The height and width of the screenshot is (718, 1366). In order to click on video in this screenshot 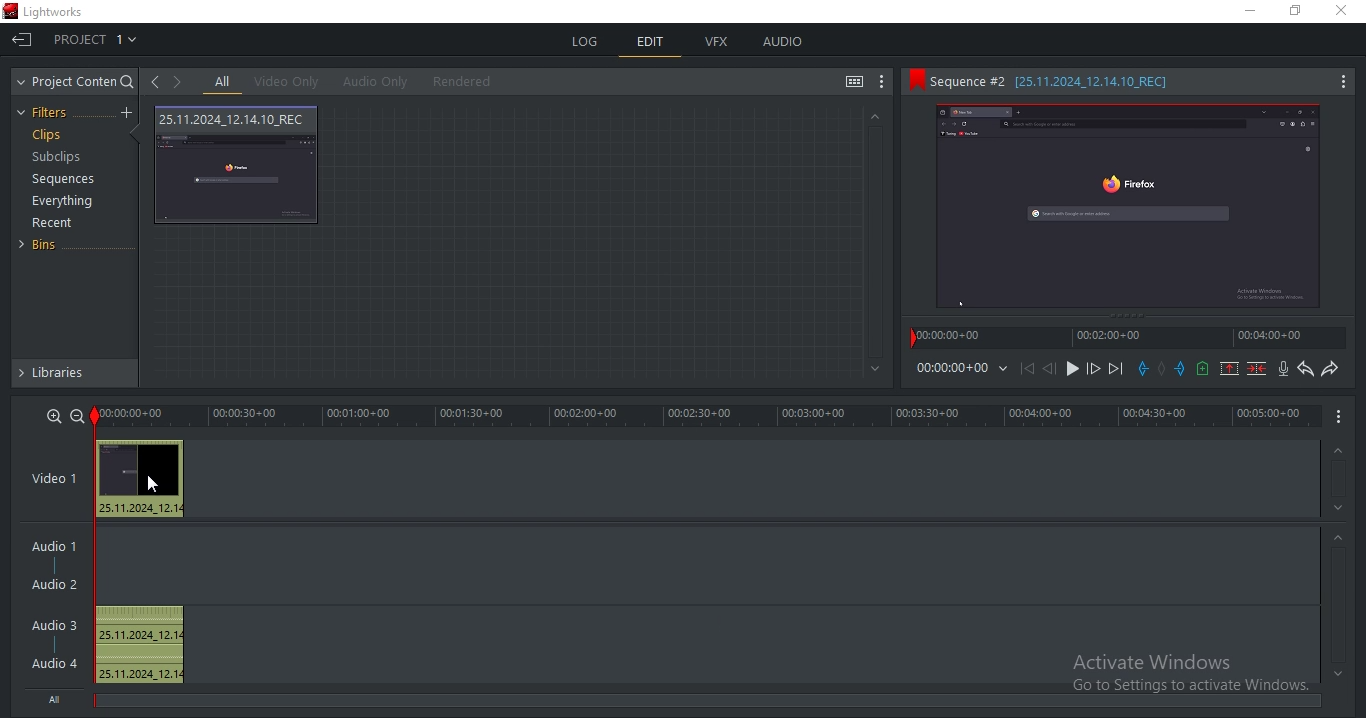, I will do `click(62, 480)`.